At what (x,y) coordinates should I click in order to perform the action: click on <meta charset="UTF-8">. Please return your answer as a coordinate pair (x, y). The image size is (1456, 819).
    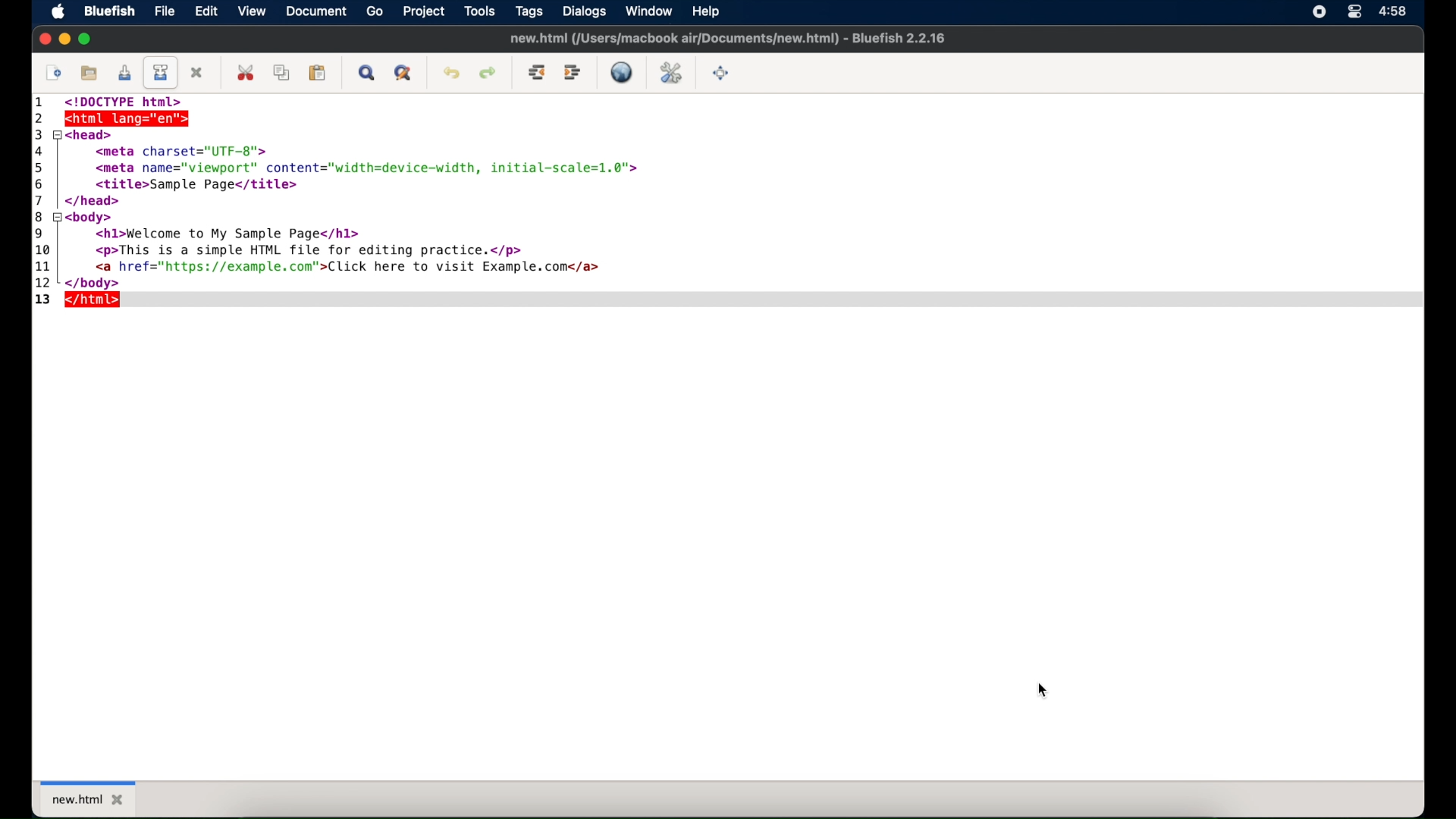
    Looking at the image, I should click on (187, 149).